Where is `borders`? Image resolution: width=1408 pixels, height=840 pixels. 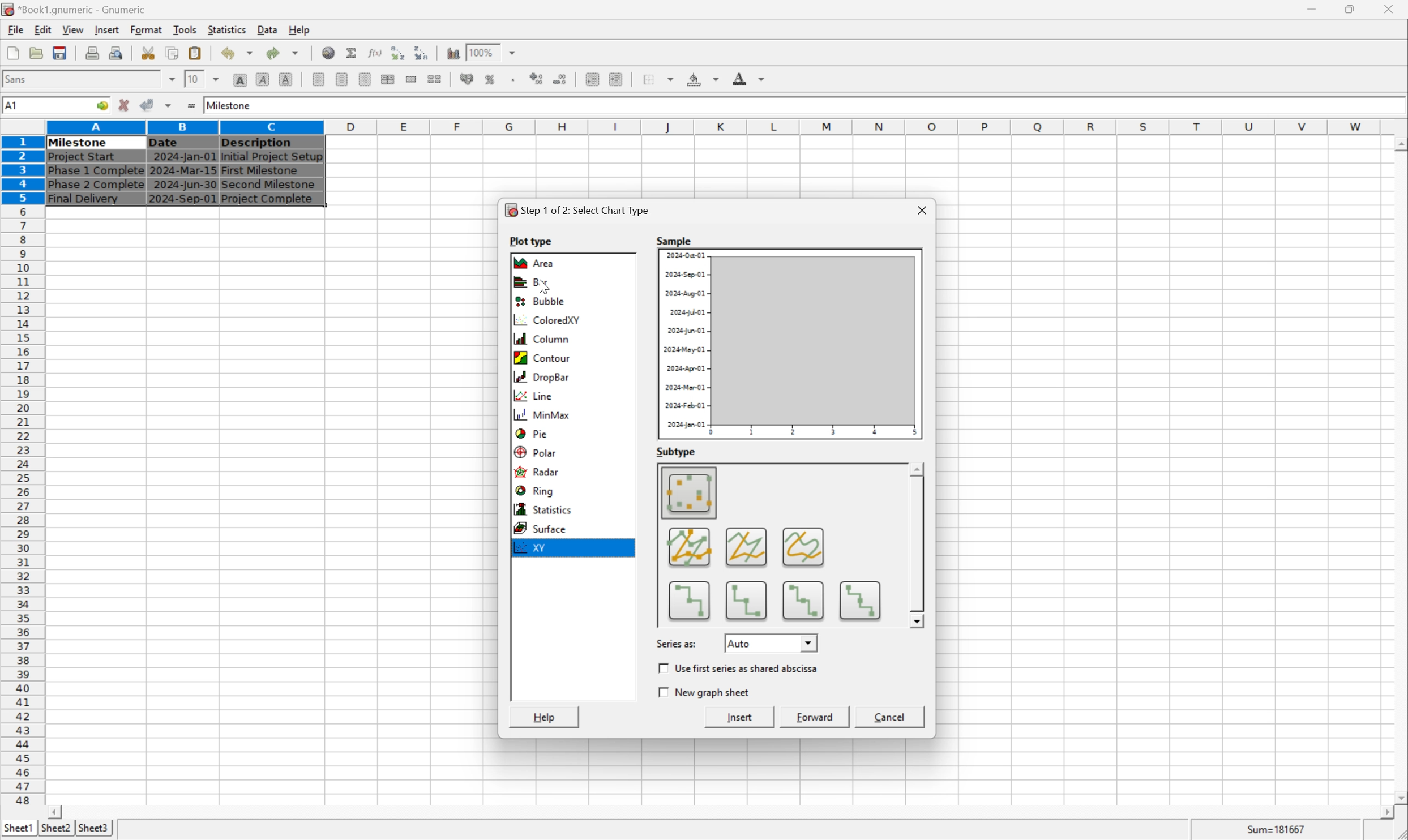
borders is located at coordinates (663, 79).